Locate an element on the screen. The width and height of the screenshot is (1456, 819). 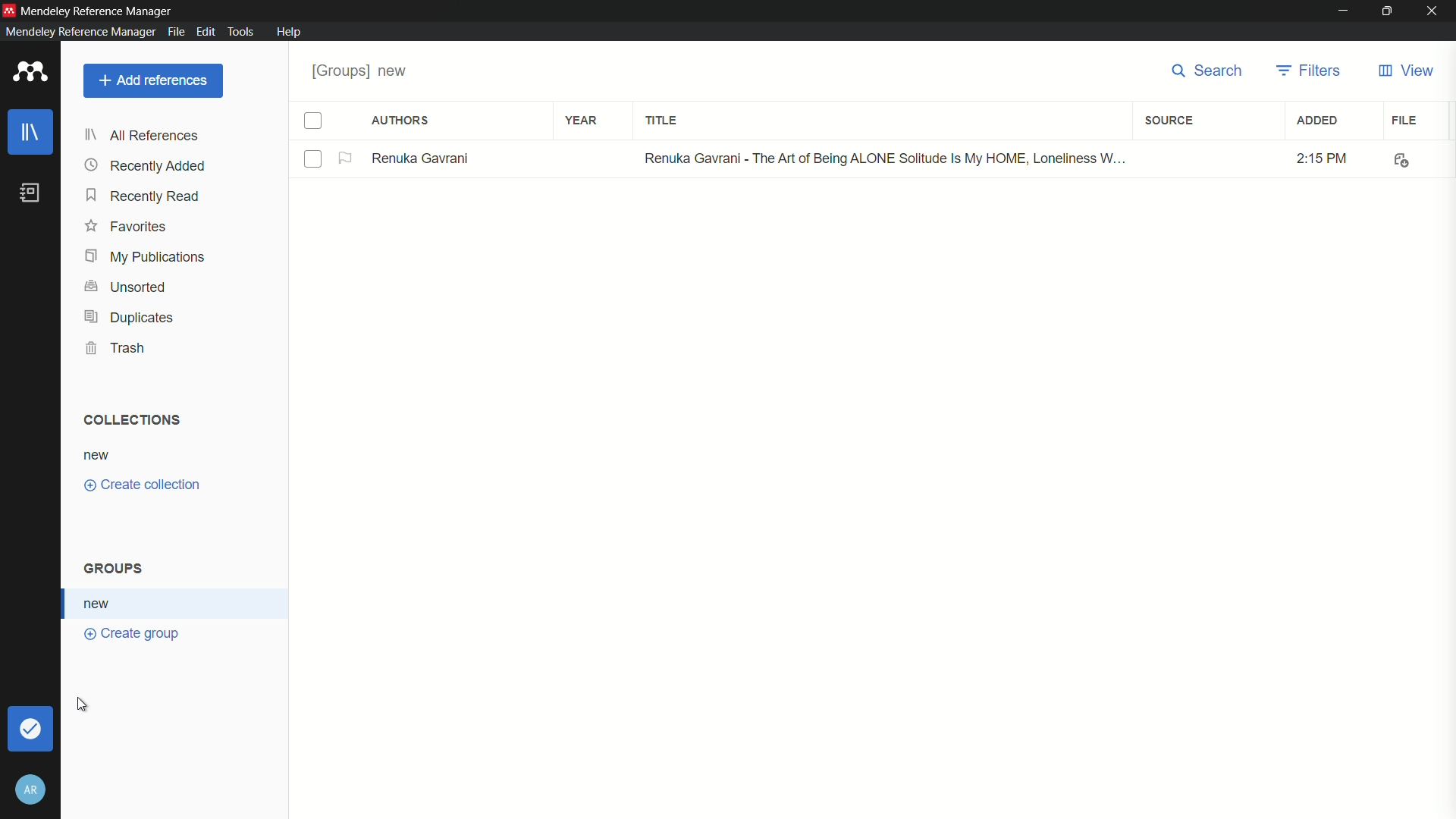
Mendeley Reference Manager is located at coordinates (102, 10).